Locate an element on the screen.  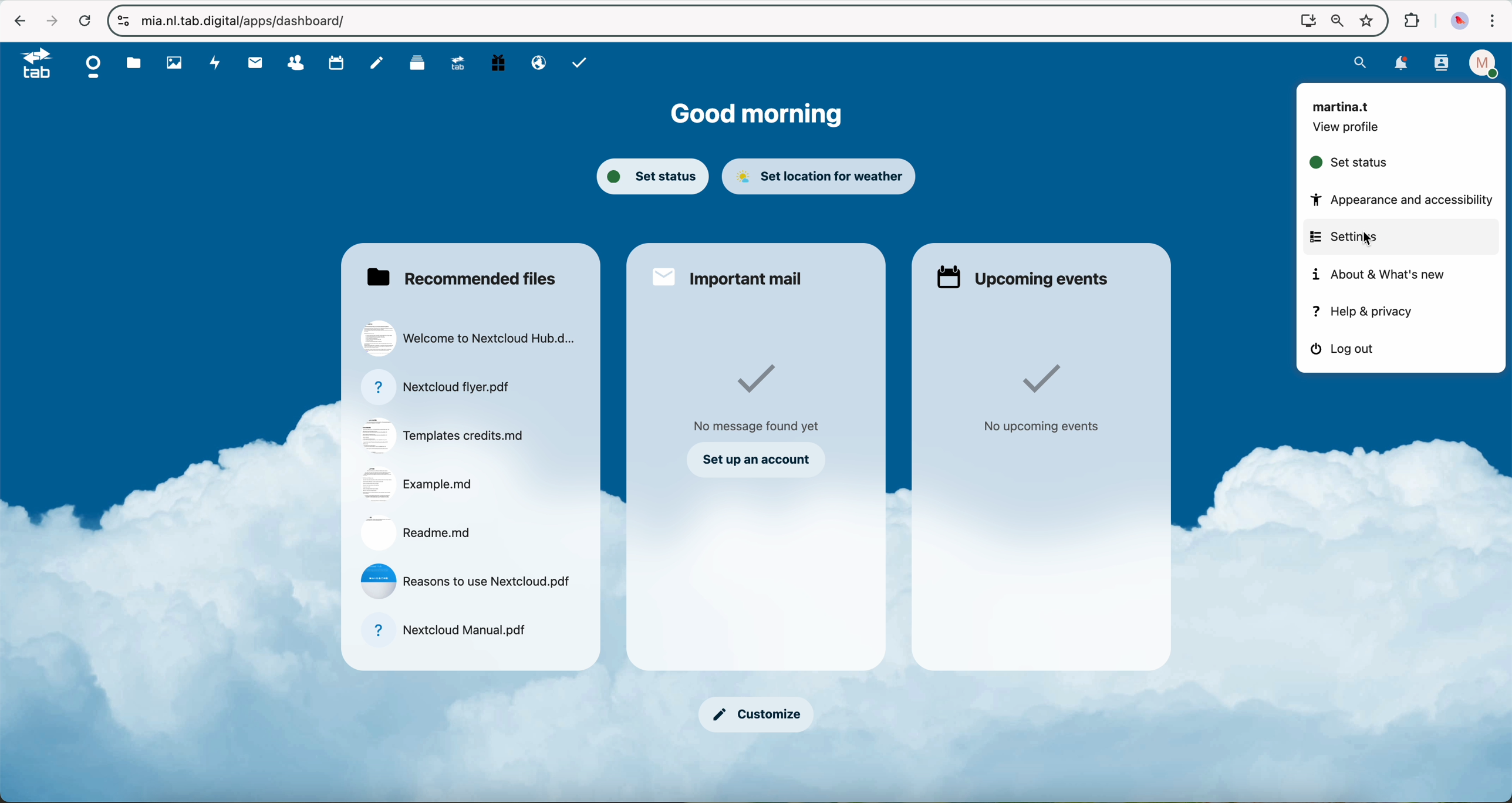
customize button is located at coordinates (755, 716).